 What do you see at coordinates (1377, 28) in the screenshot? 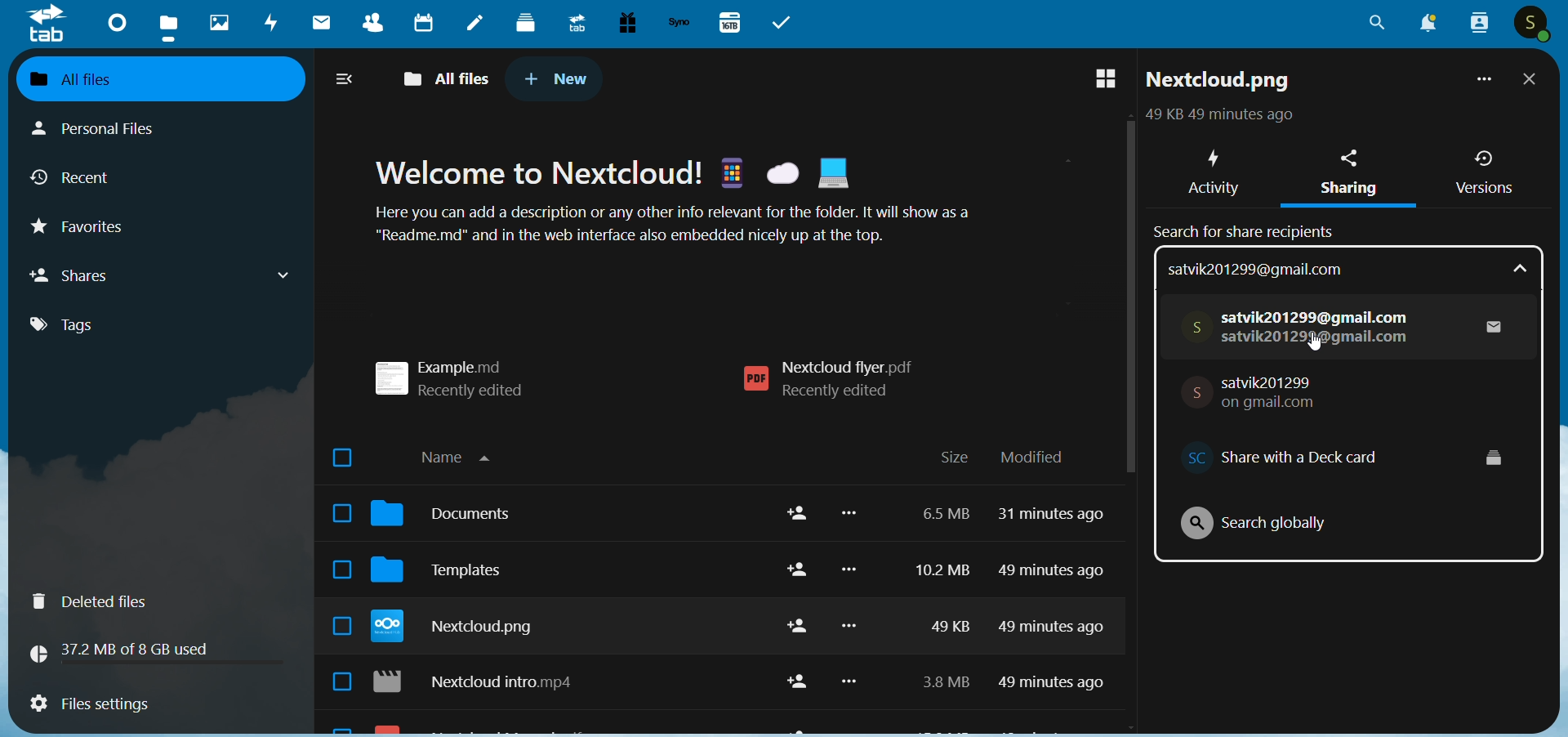
I see `search` at bounding box center [1377, 28].